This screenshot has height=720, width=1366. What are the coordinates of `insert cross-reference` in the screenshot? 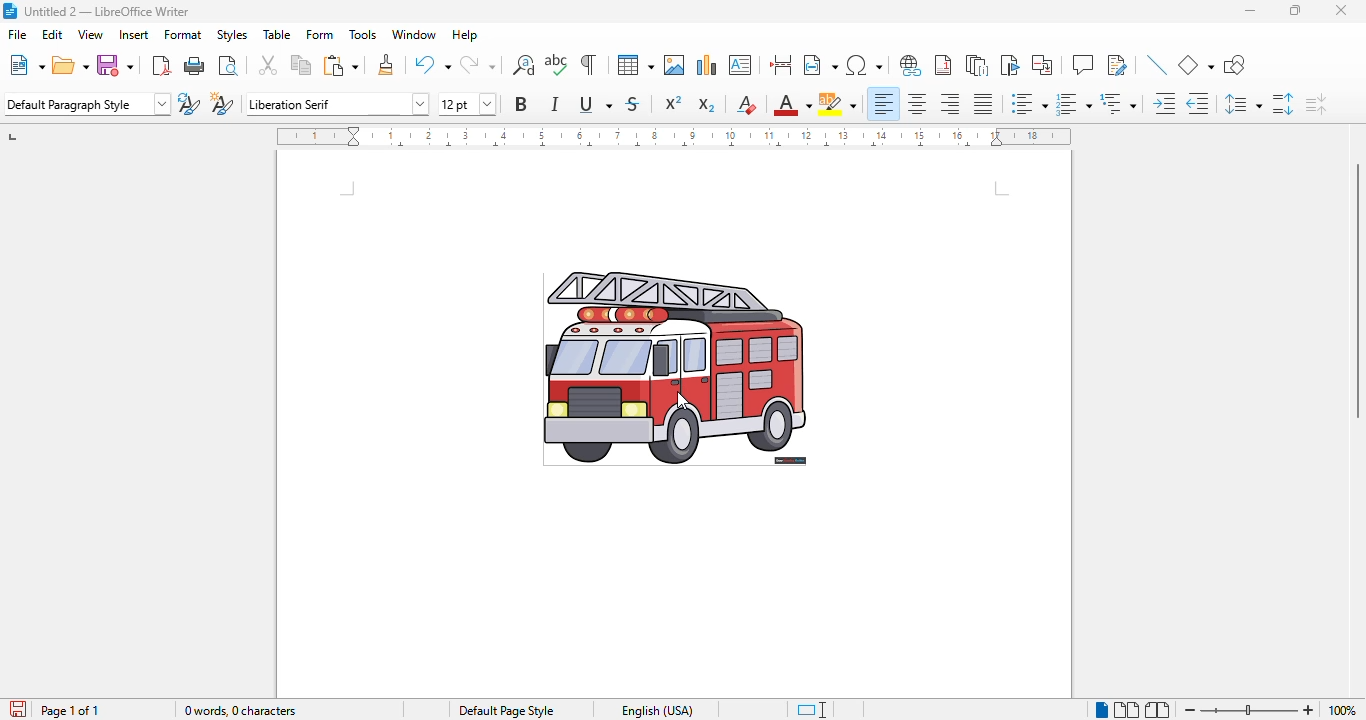 It's located at (1042, 64).